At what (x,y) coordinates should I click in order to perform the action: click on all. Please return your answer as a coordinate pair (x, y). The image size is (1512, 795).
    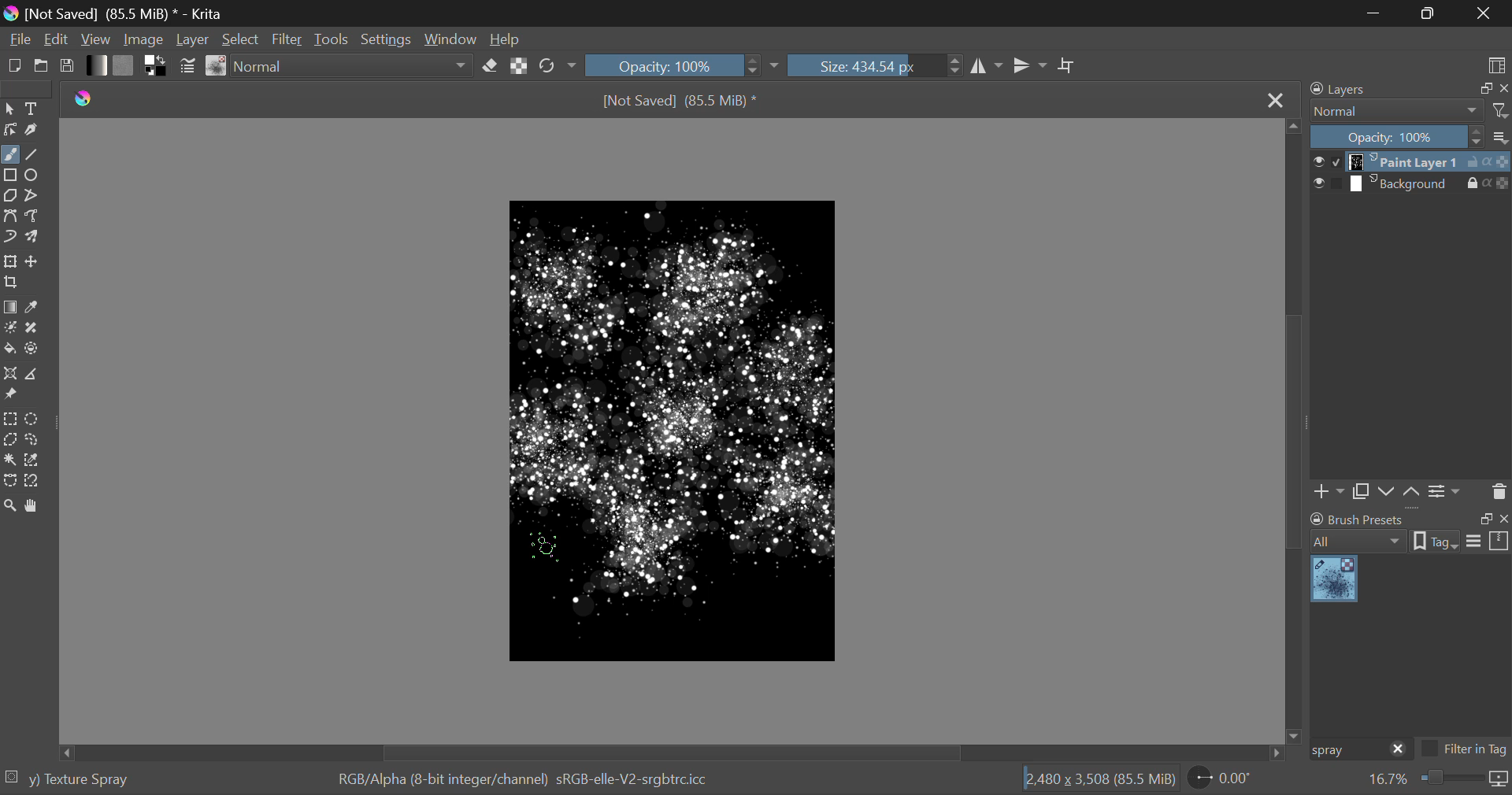
    Looking at the image, I should click on (1360, 542).